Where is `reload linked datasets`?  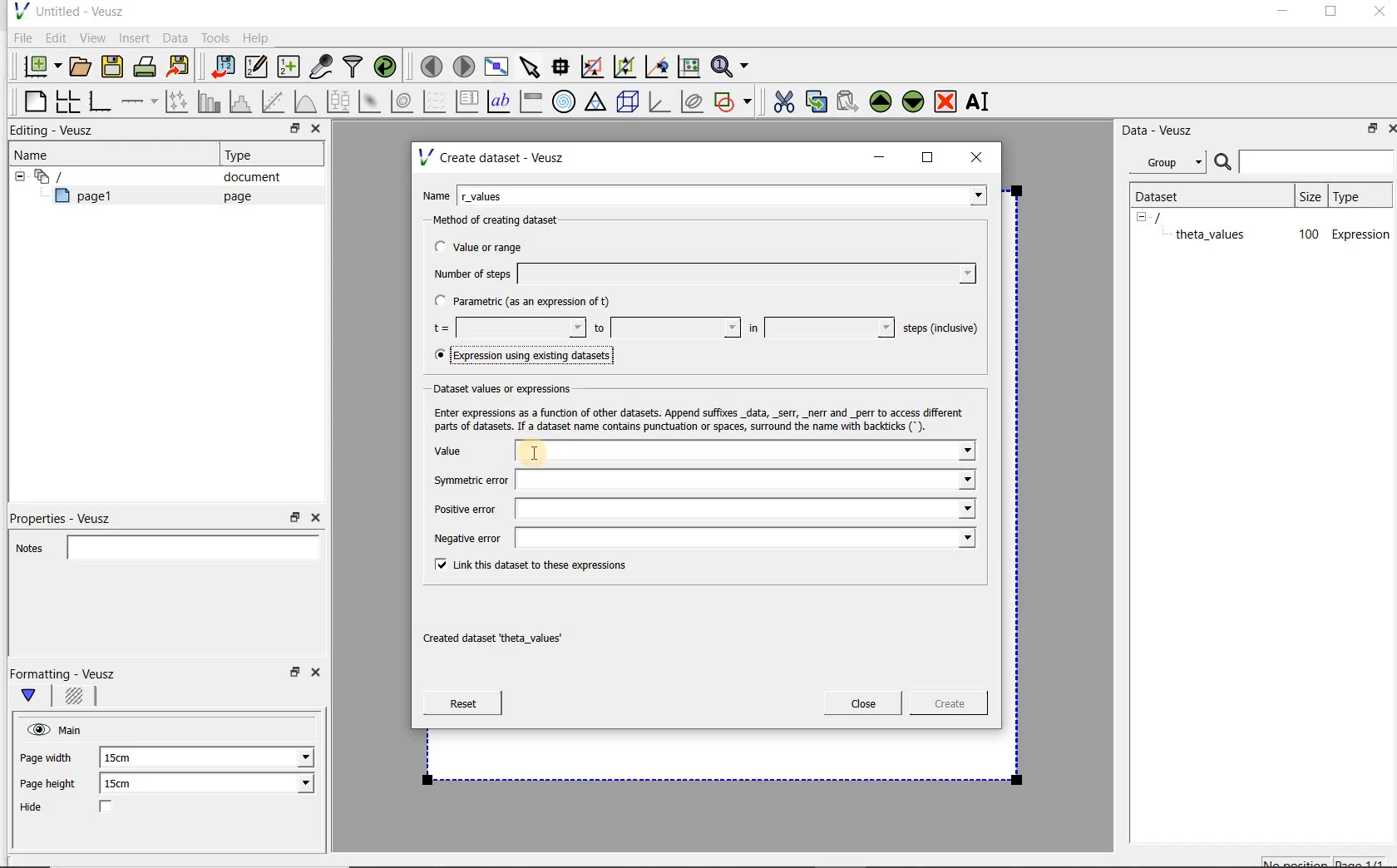 reload linked datasets is located at coordinates (388, 67).